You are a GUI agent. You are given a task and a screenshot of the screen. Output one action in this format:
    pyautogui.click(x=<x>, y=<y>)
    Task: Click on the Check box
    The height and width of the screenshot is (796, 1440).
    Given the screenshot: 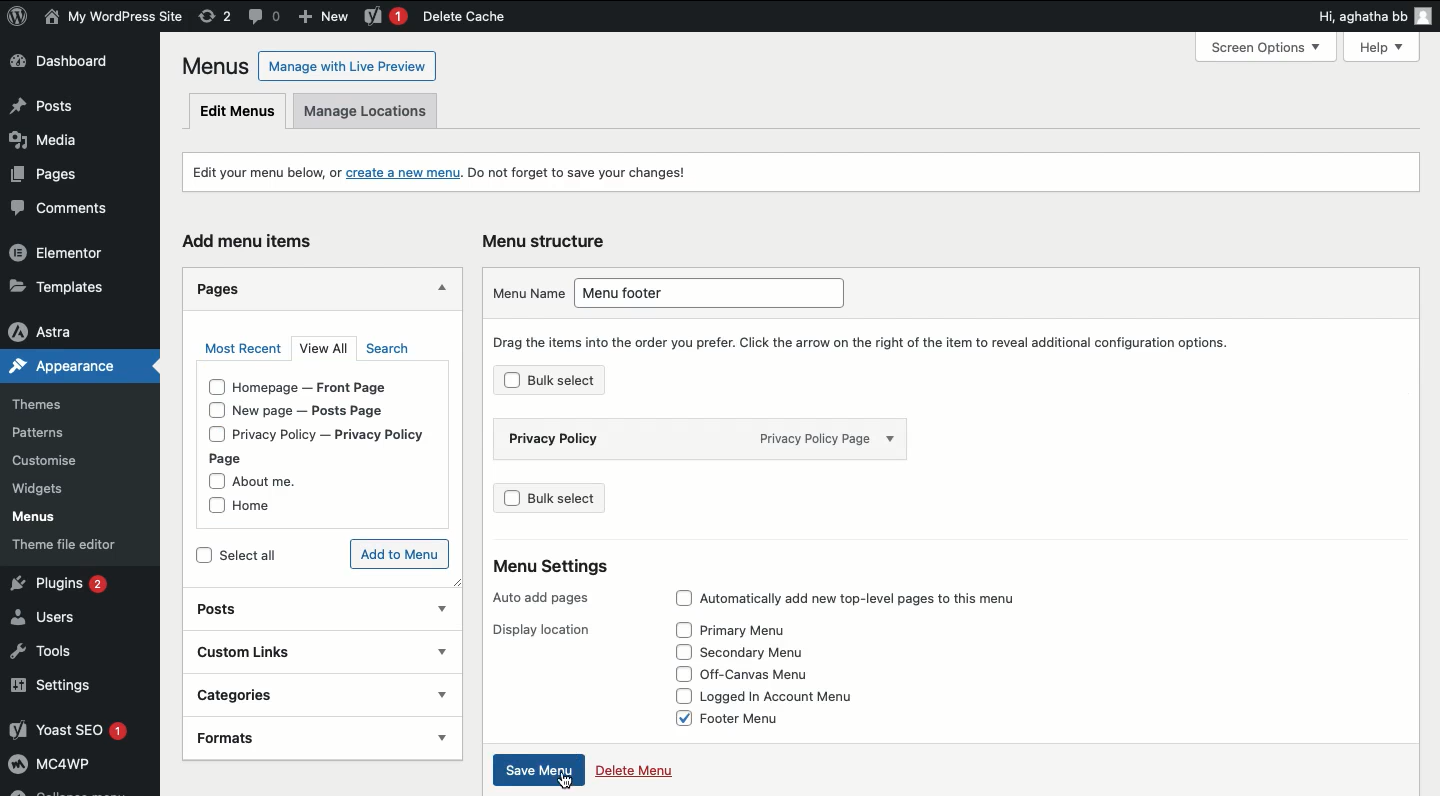 What is the action you would take?
    pyautogui.click(x=679, y=629)
    